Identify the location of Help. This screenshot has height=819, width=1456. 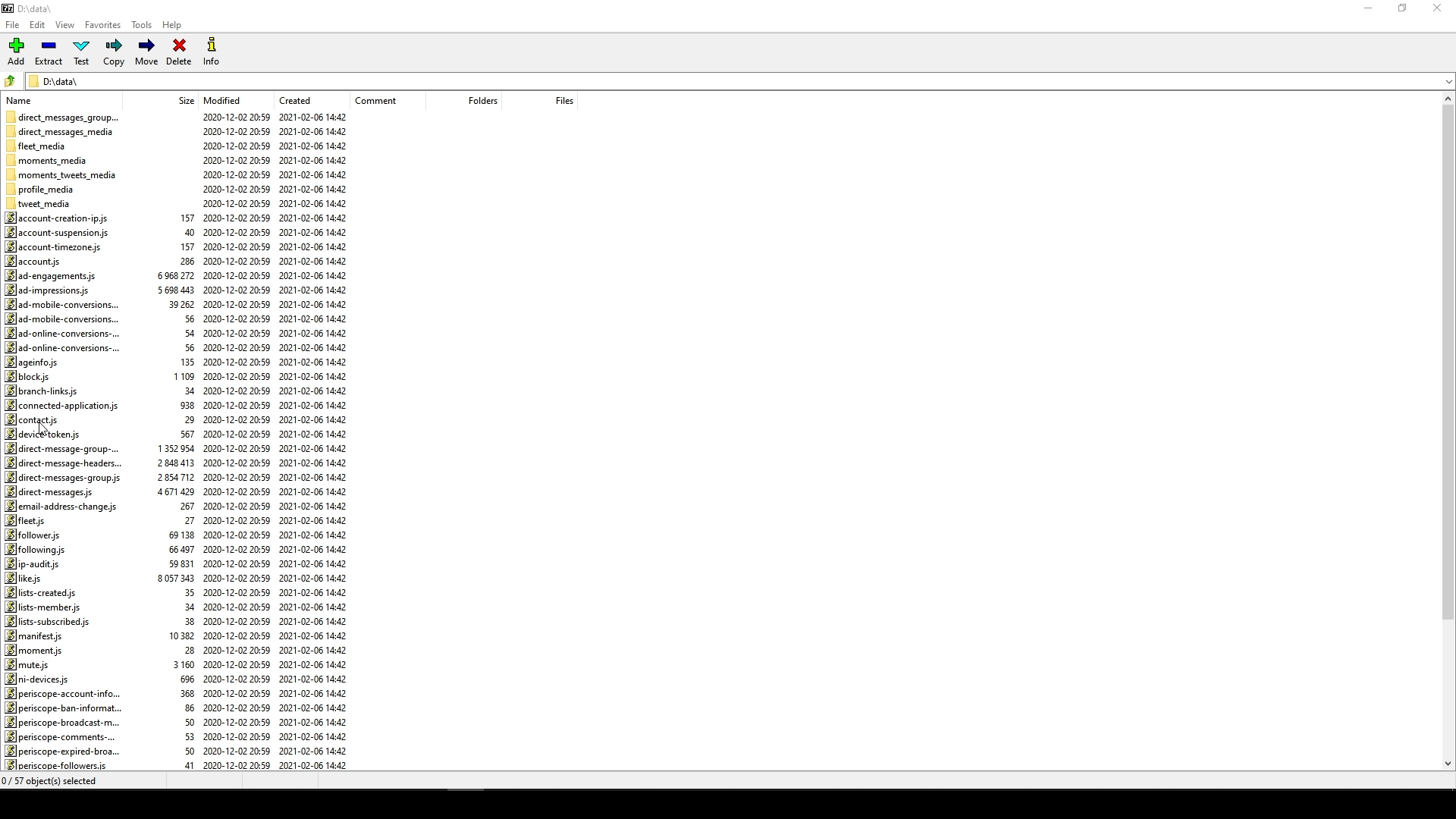
(175, 27).